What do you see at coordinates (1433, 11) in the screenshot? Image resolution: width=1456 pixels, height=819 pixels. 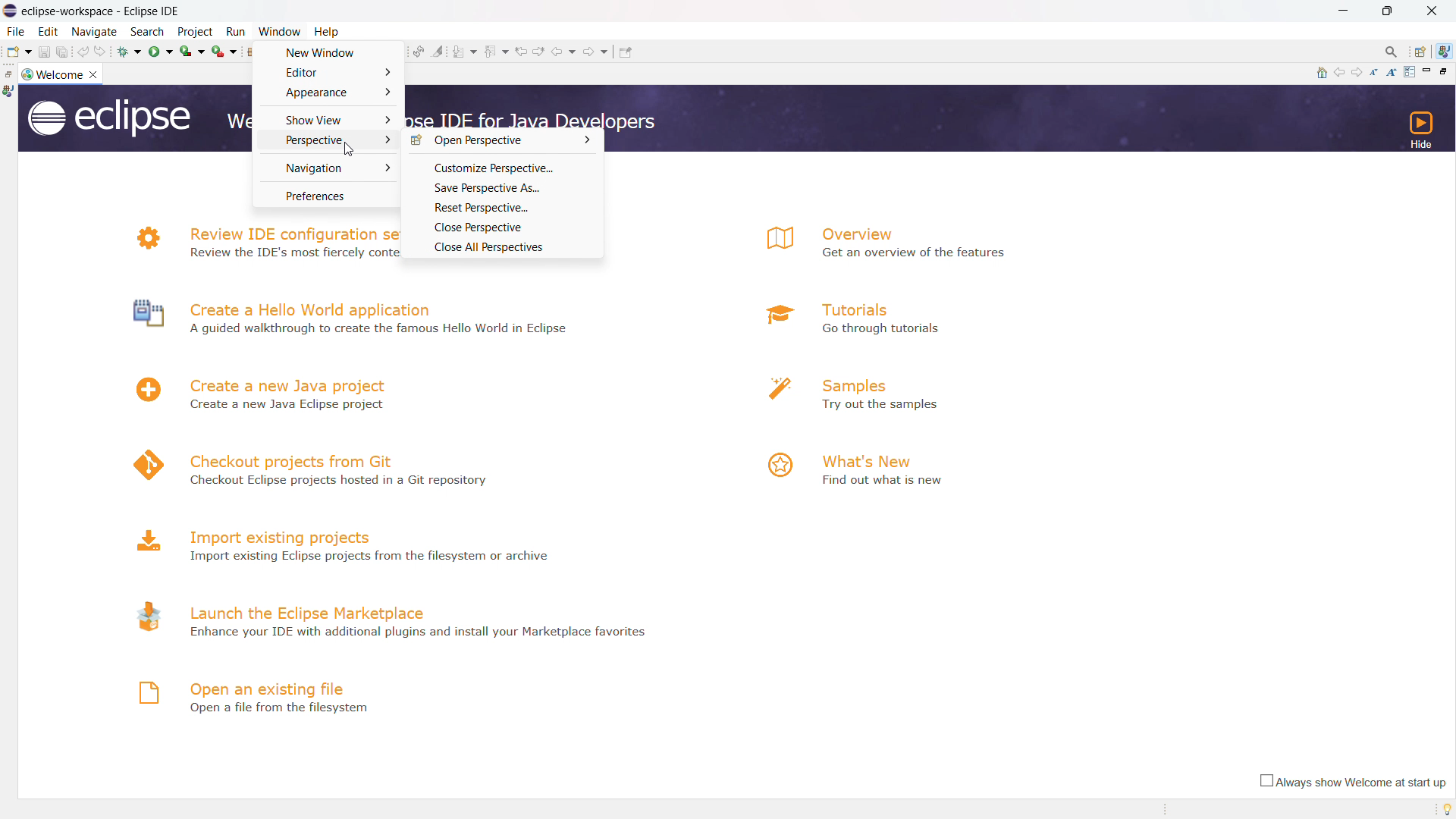 I see `close` at bounding box center [1433, 11].